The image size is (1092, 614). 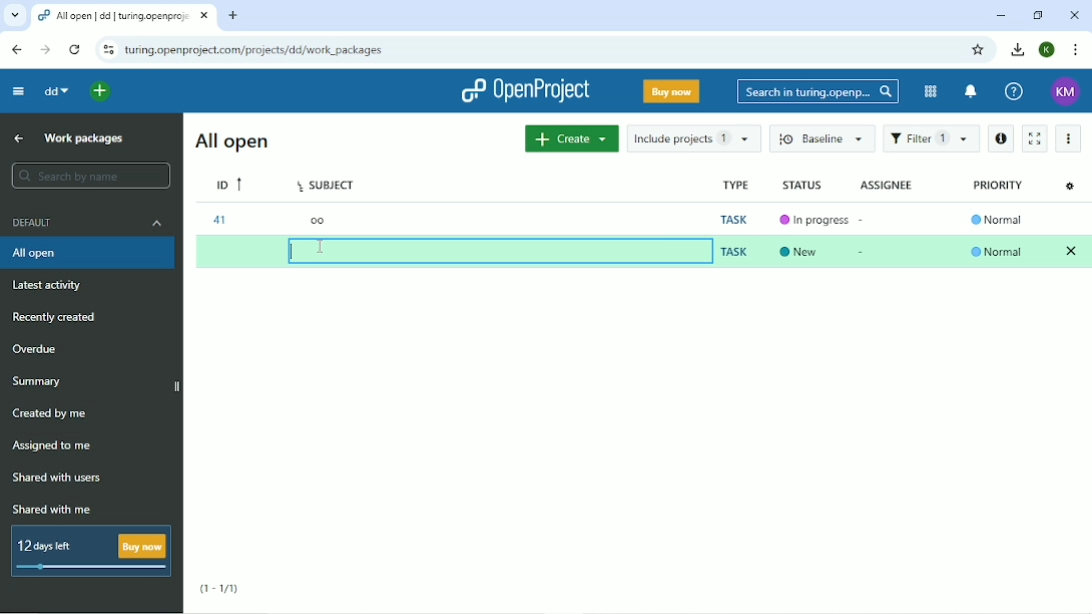 What do you see at coordinates (222, 585) in the screenshot?
I see `(1-1/1)` at bounding box center [222, 585].